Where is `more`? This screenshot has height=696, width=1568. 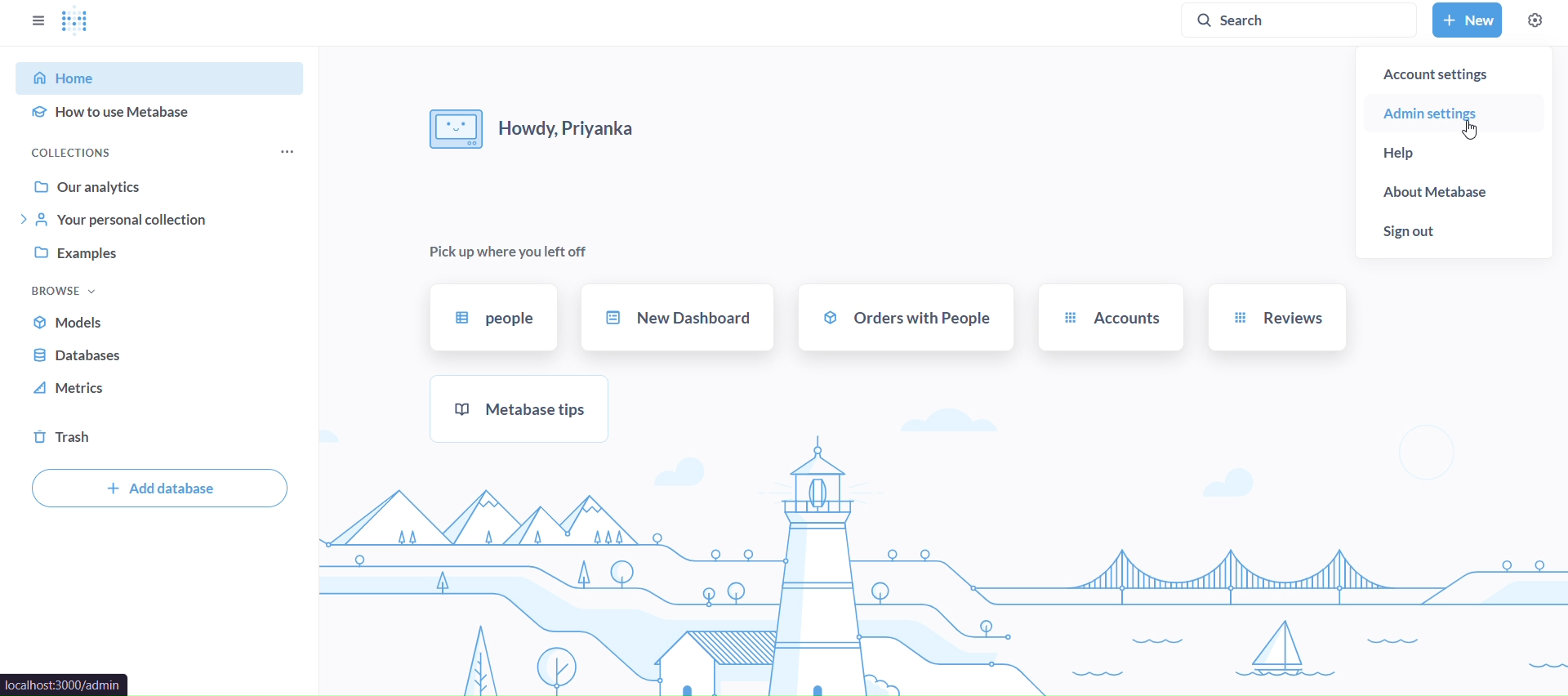 more is located at coordinates (285, 153).